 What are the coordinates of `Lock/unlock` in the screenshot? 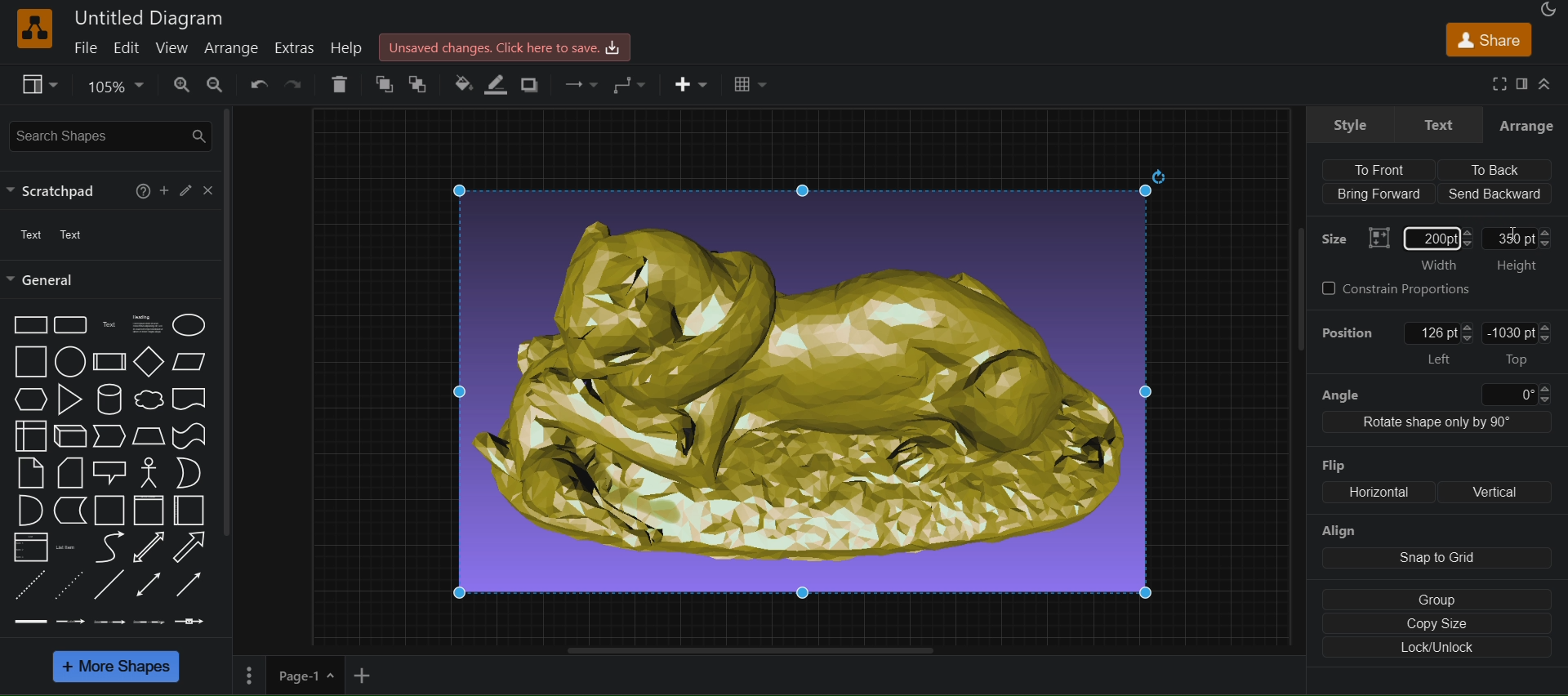 It's located at (1438, 649).